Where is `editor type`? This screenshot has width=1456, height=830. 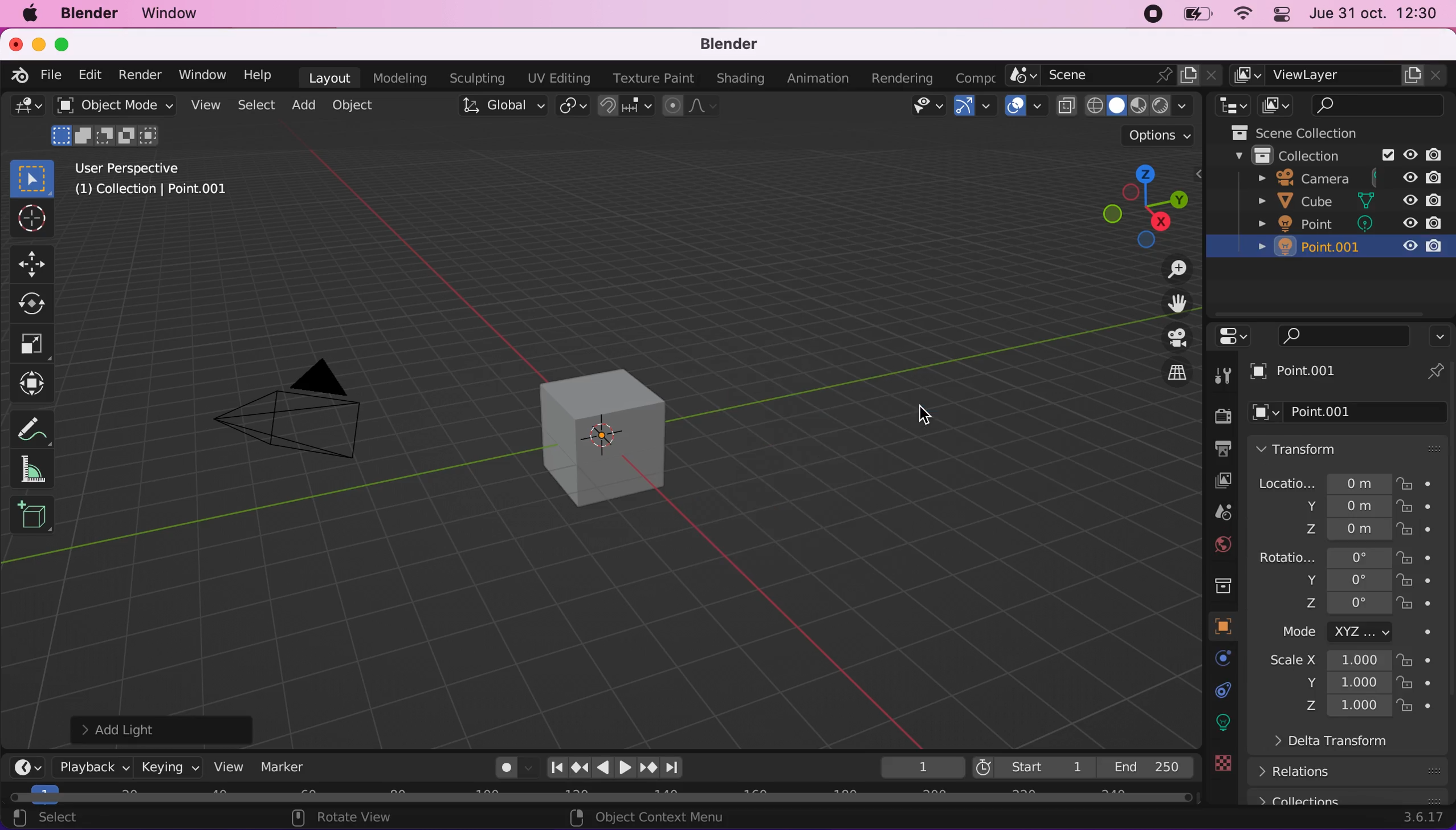 editor type is located at coordinates (22, 766).